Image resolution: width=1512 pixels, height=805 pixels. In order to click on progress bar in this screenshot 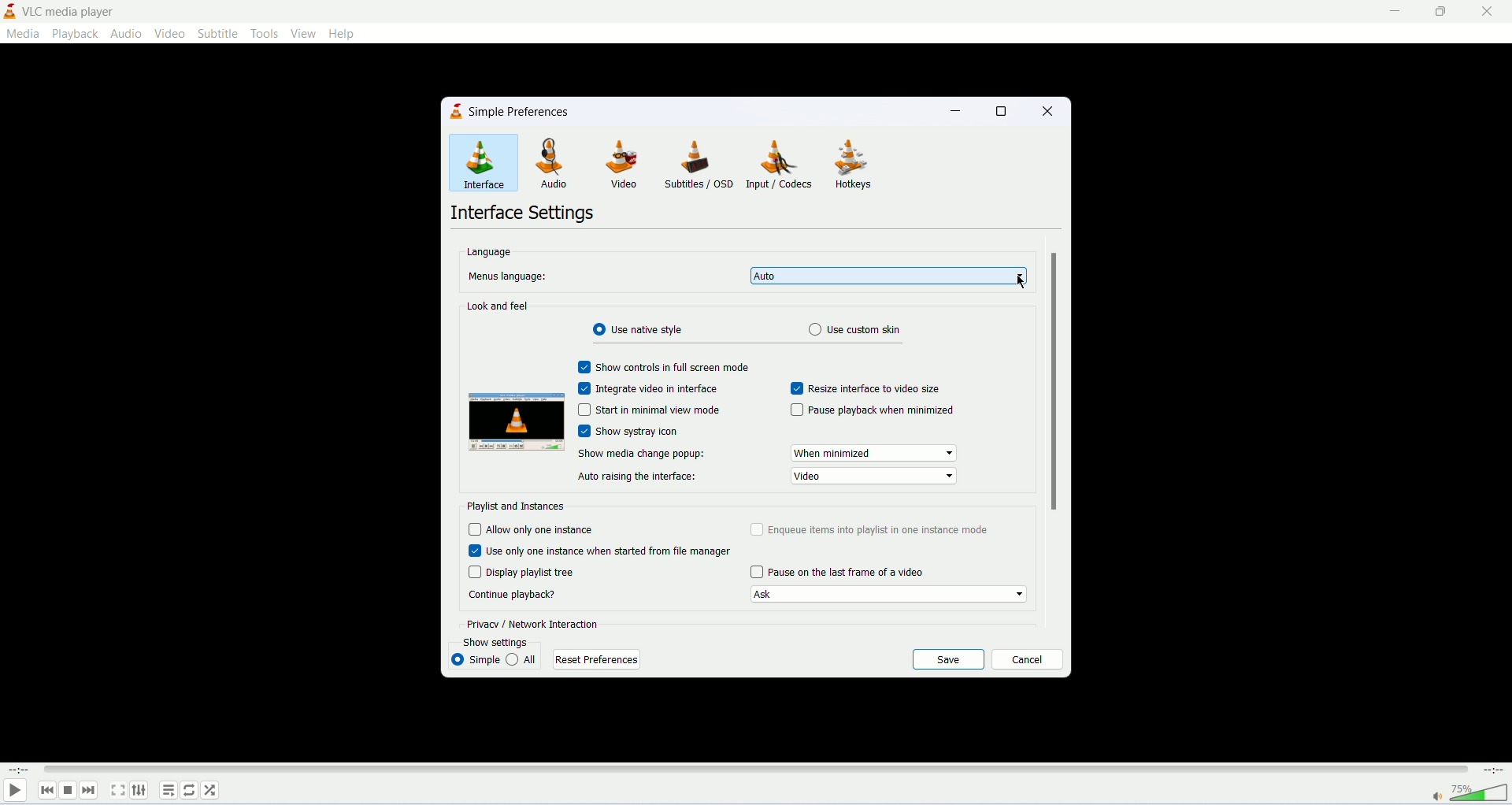, I will do `click(756, 770)`.